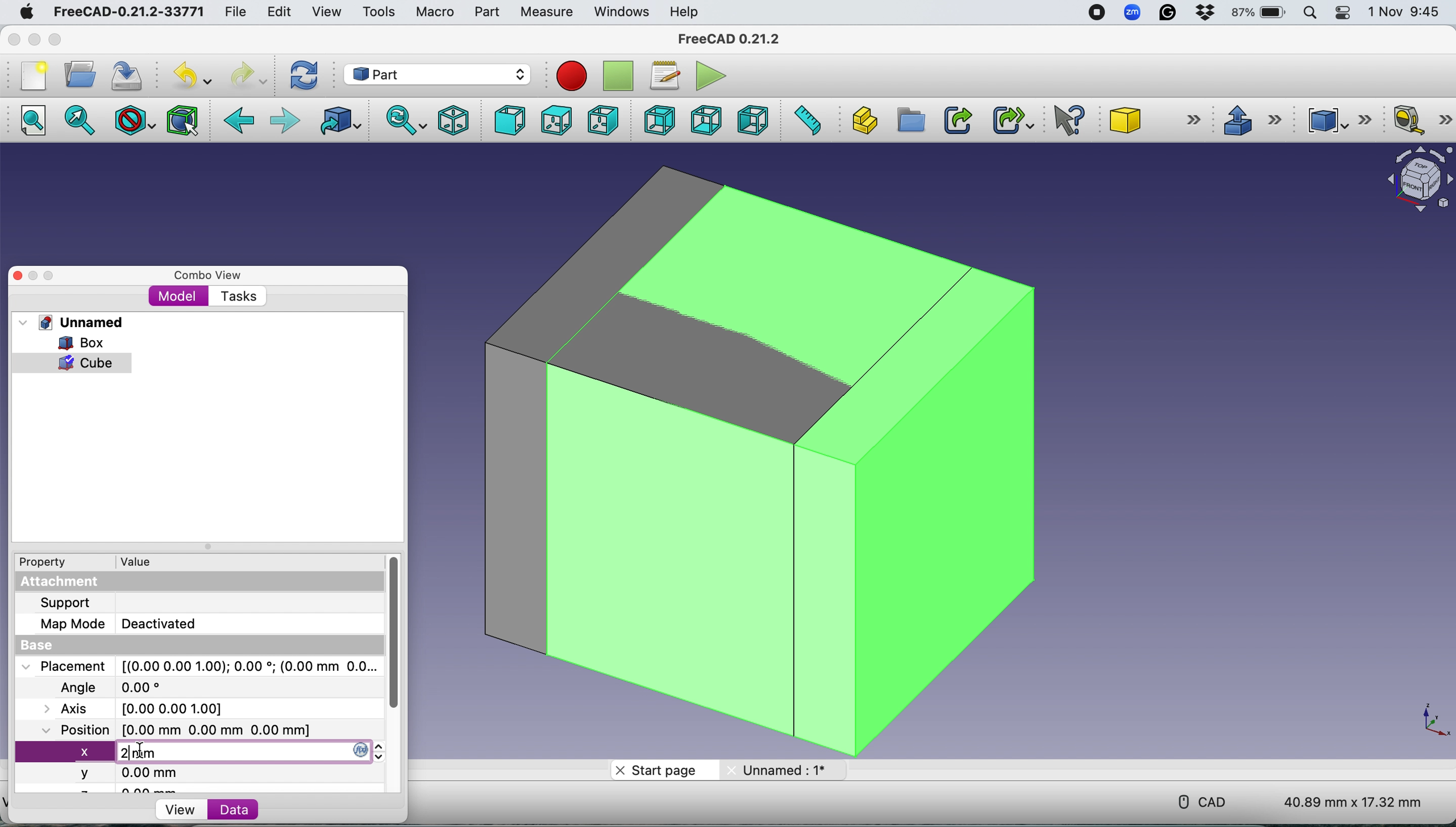 Image resolution: width=1456 pixels, height=827 pixels. Describe the element at coordinates (746, 457) in the screenshot. I see `Box` at that location.